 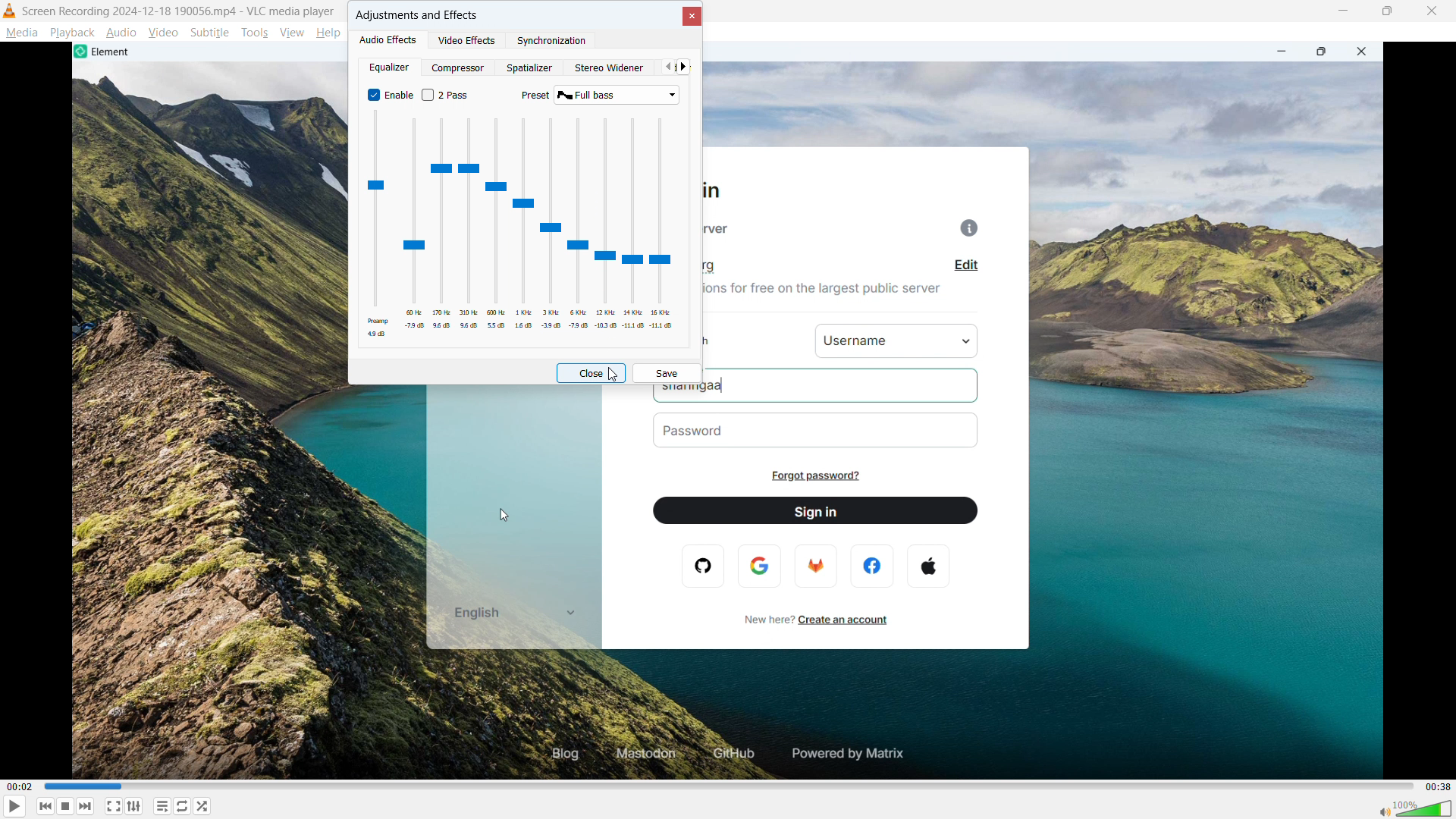 What do you see at coordinates (551, 224) in the screenshot?
I see `Adjust 3 kilohertz` at bounding box center [551, 224].